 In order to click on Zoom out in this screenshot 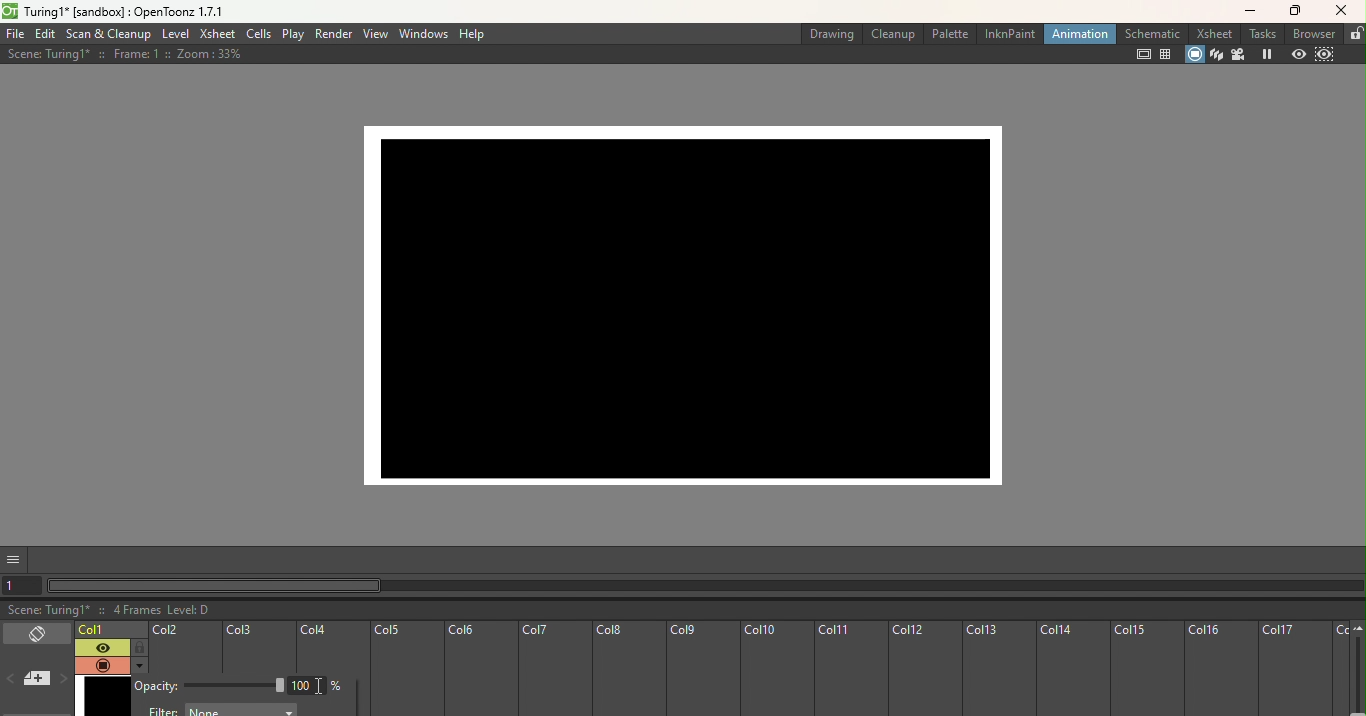, I will do `click(1359, 630)`.